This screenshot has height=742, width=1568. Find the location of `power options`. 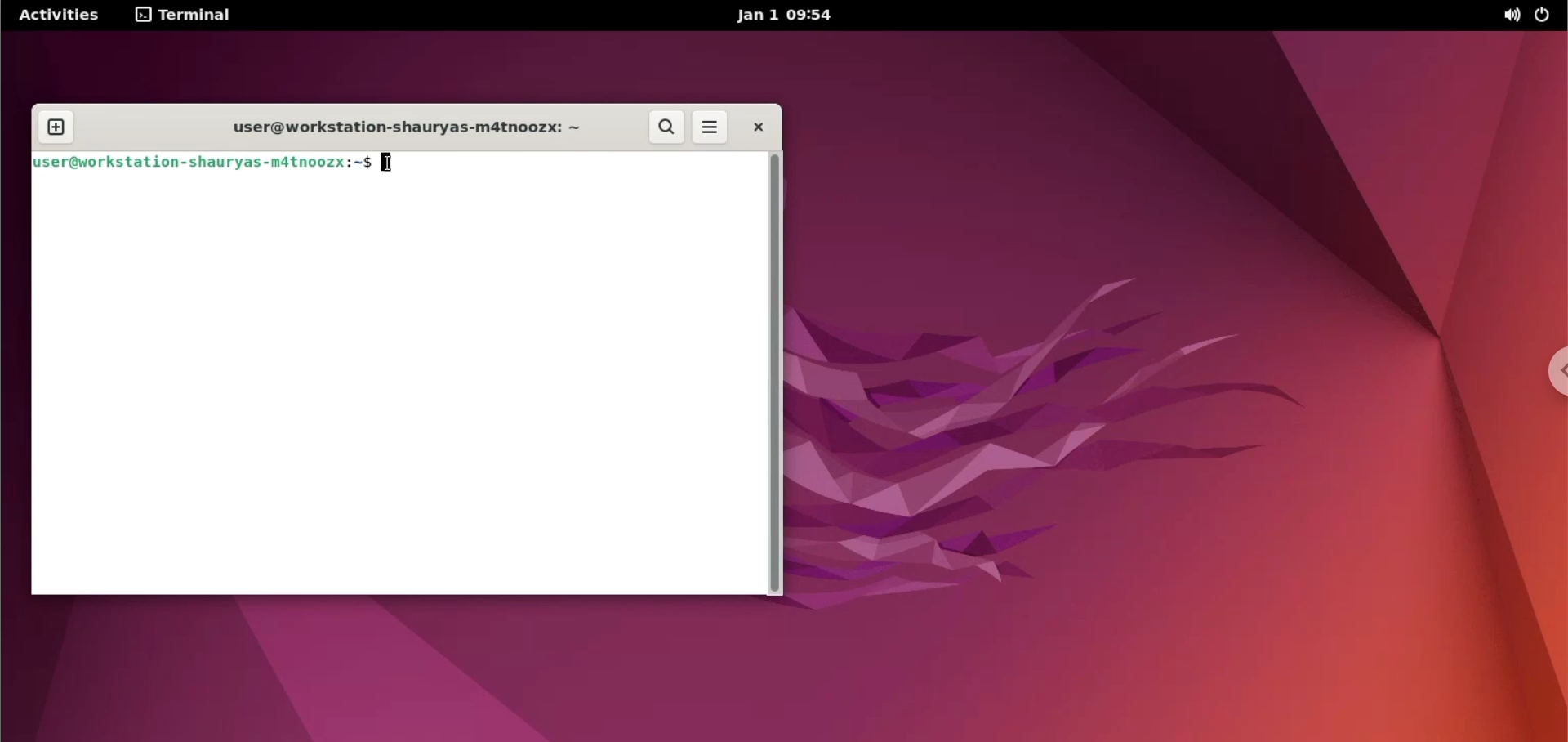

power options is located at coordinates (1548, 16).